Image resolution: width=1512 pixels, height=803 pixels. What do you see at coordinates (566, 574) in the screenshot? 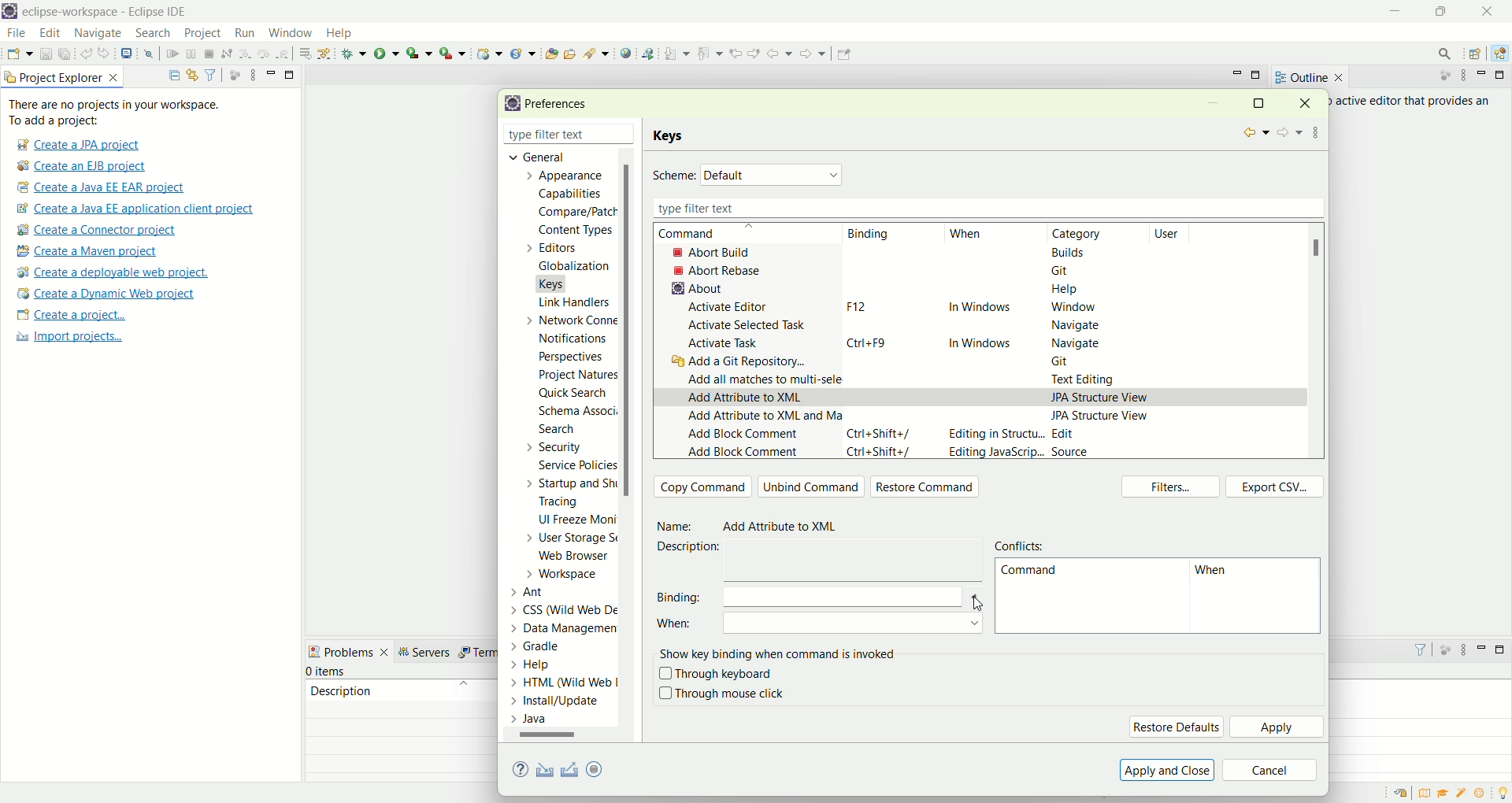
I see `workspace` at bounding box center [566, 574].